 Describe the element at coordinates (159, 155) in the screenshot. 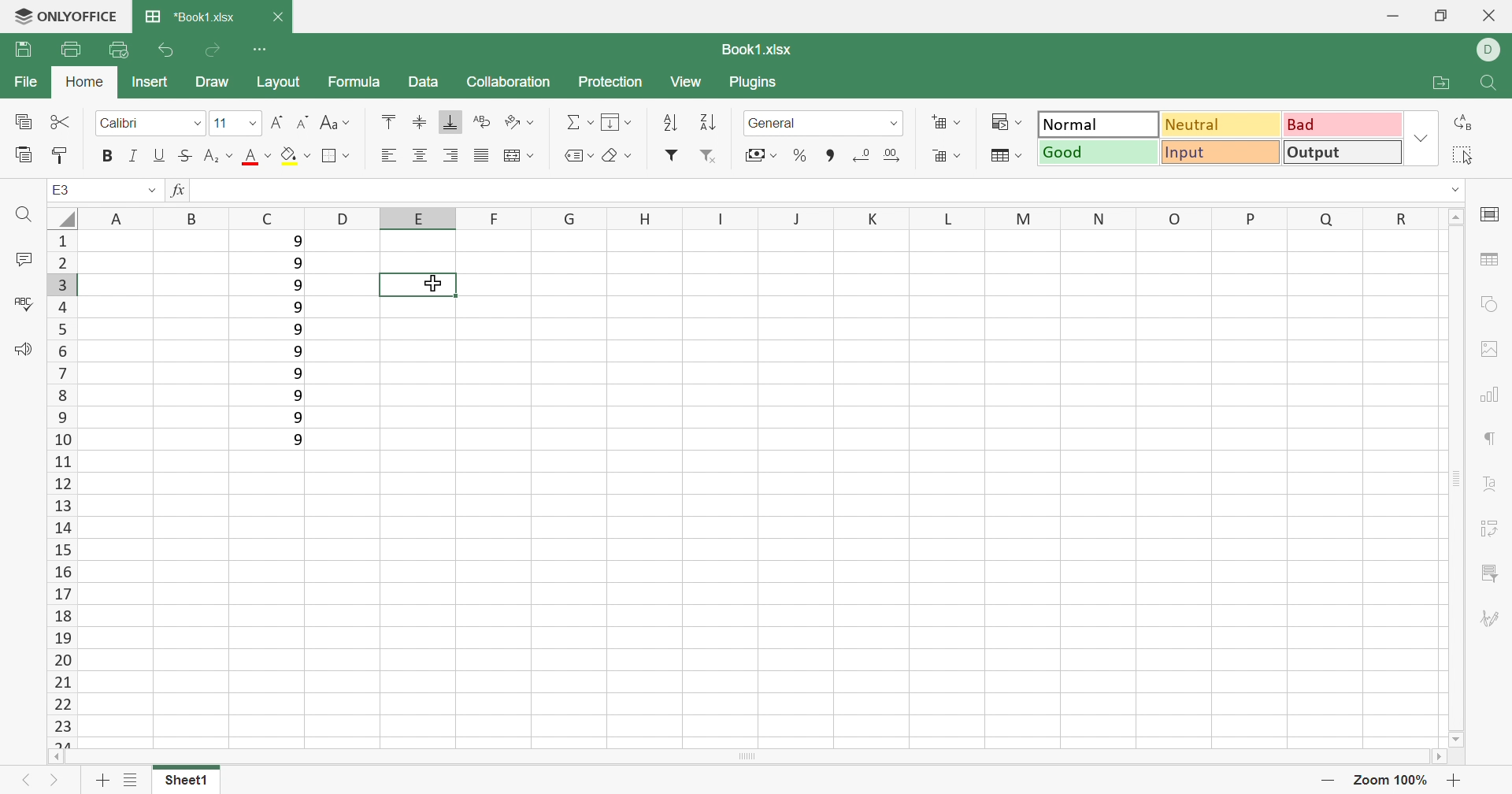

I see `Underline` at that location.